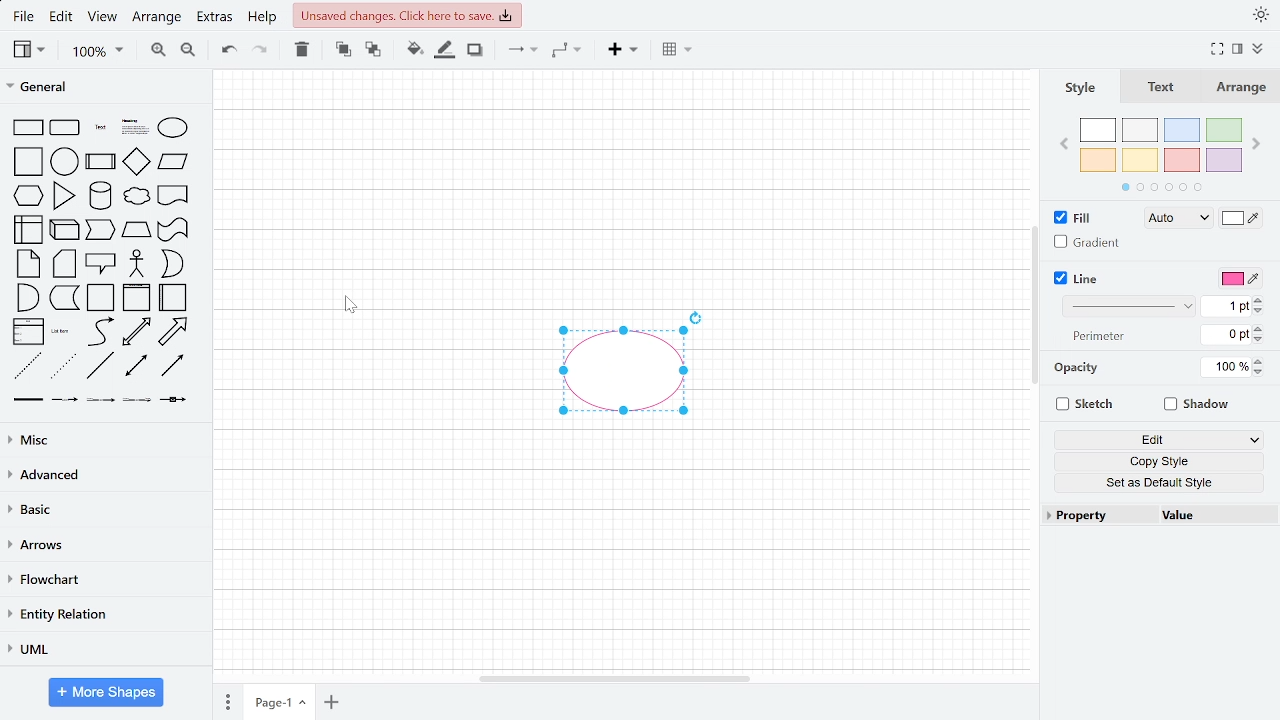 The image size is (1280, 720). Describe the element at coordinates (301, 51) in the screenshot. I see `delete` at that location.